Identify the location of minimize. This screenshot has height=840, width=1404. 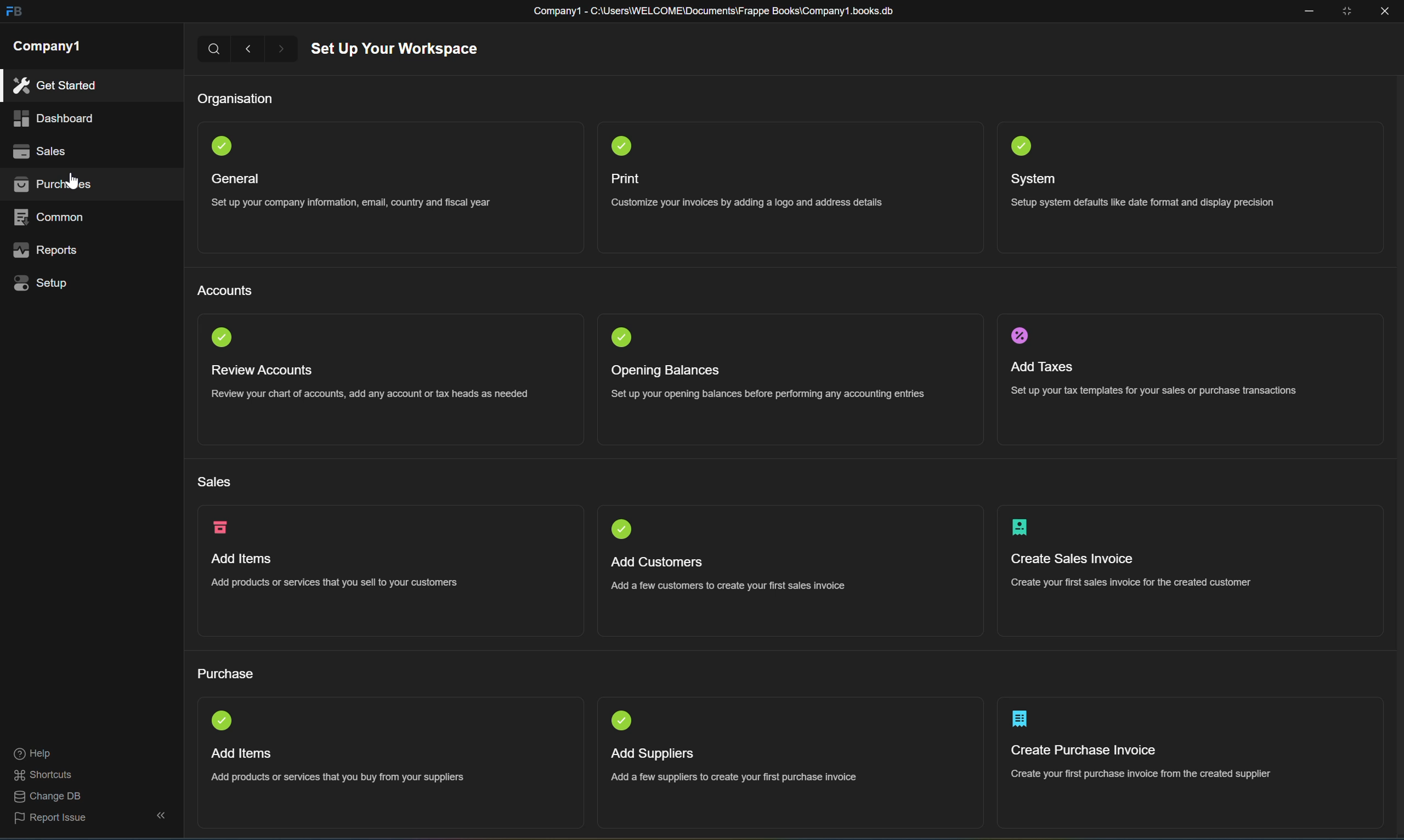
(1311, 13).